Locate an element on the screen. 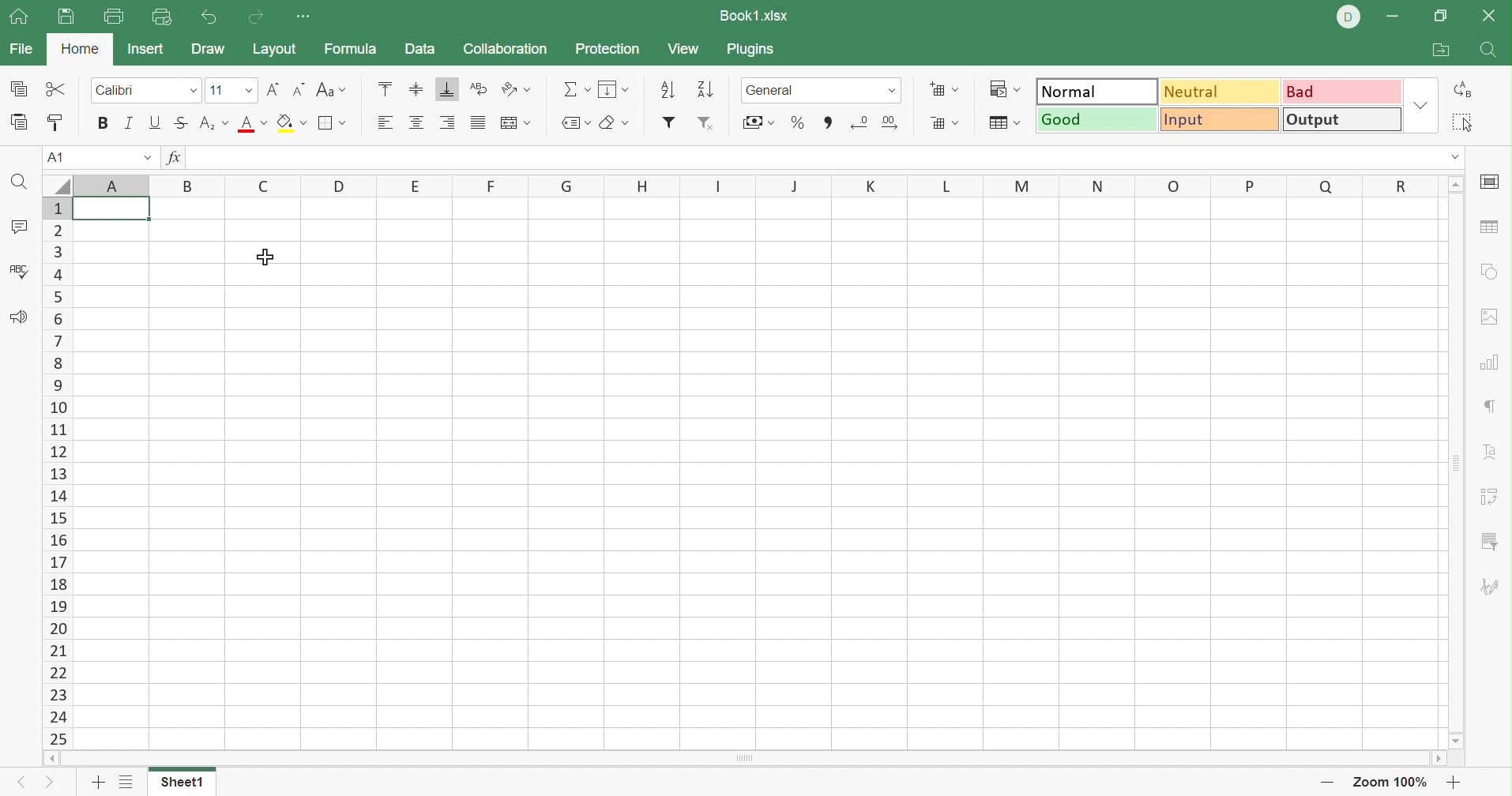  Paragraph settings is located at coordinates (1491, 405).